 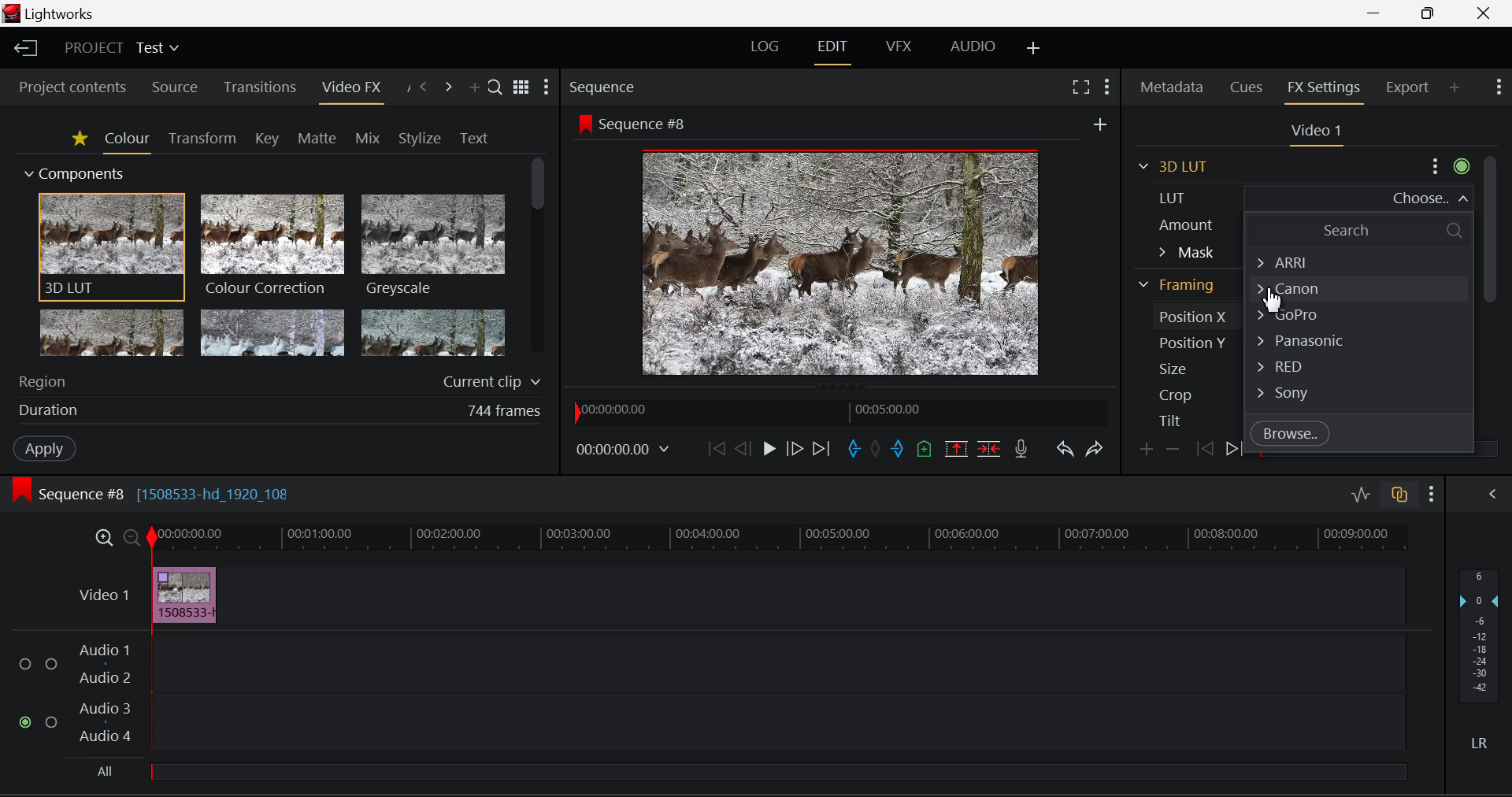 What do you see at coordinates (1329, 365) in the screenshot?
I see `RED` at bounding box center [1329, 365].